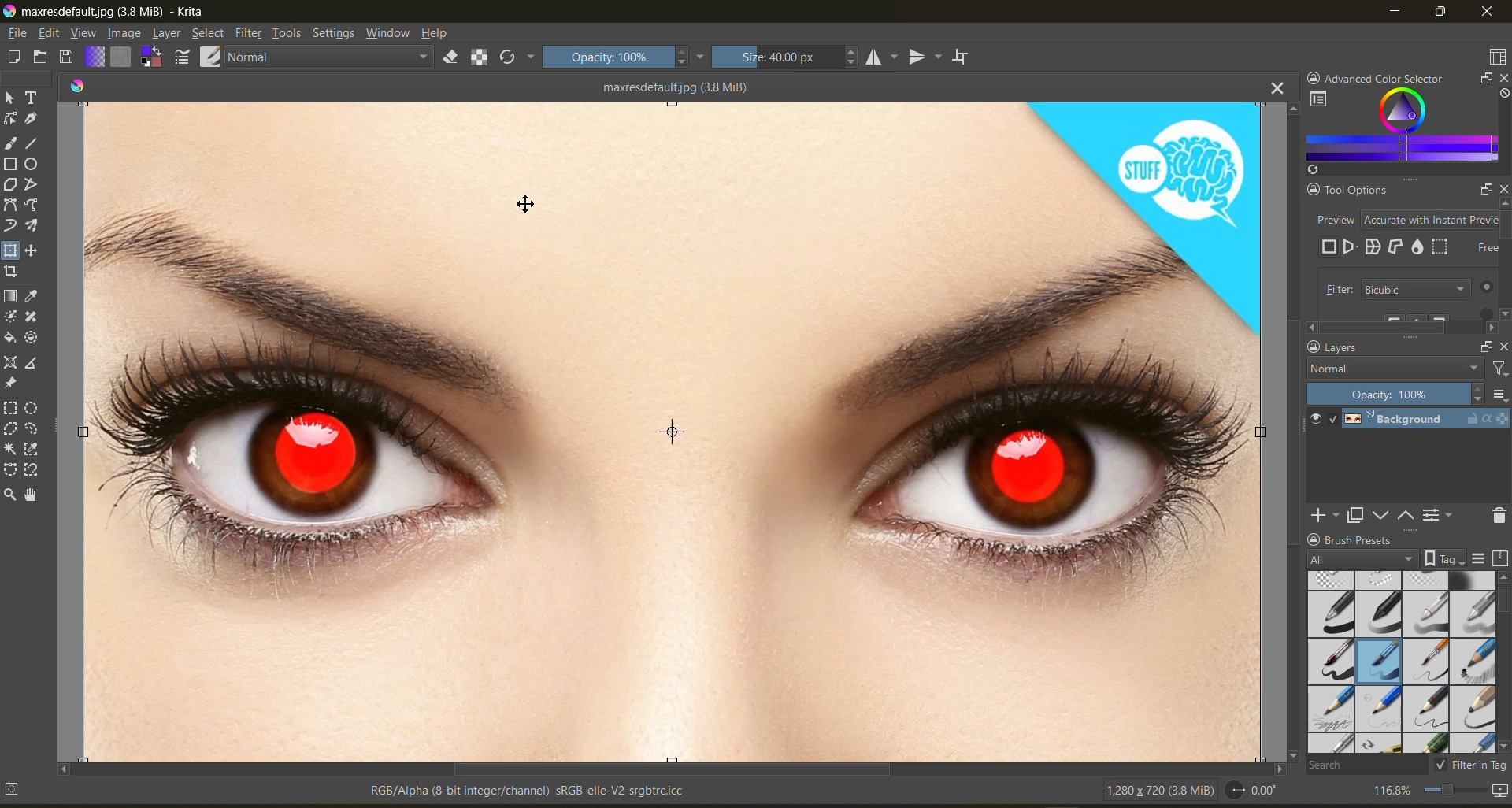 The image size is (1512, 808). I want to click on advanced color selector, so click(1399, 131).